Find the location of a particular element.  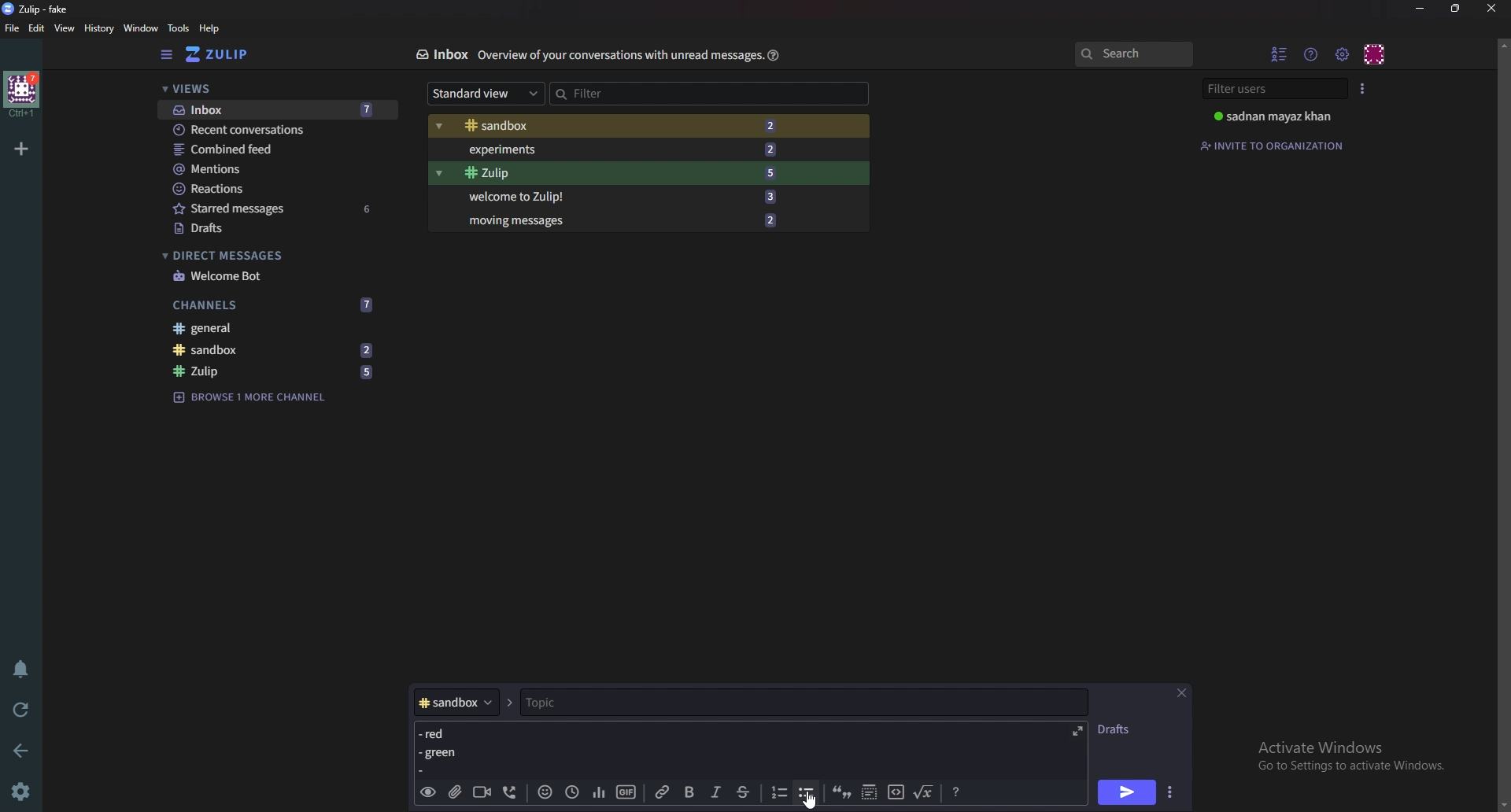

Video call is located at coordinates (481, 791).